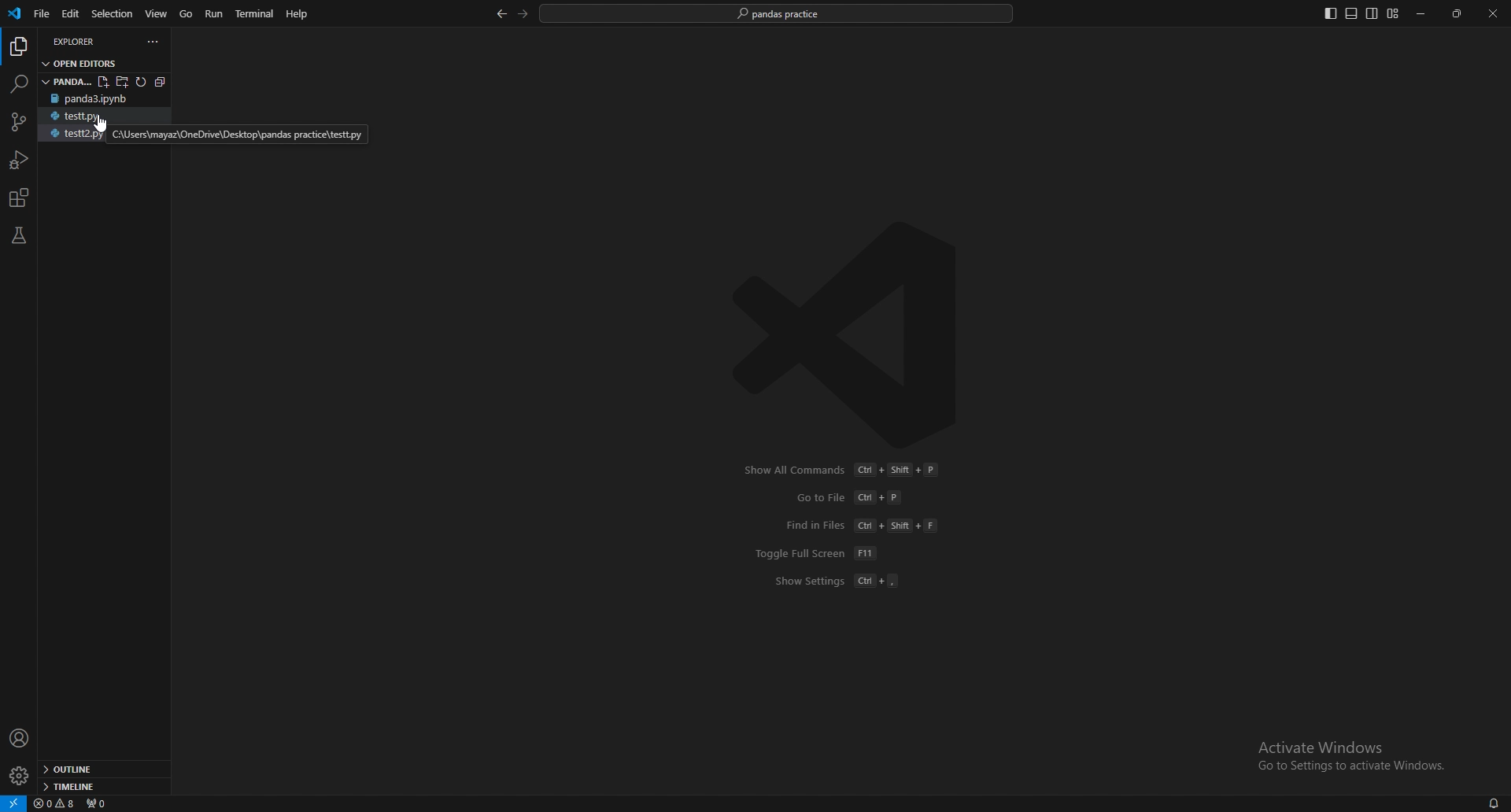 This screenshot has width=1511, height=812. Describe the element at coordinates (1392, 14) in the screenshot. I see `customize layout` at that location.